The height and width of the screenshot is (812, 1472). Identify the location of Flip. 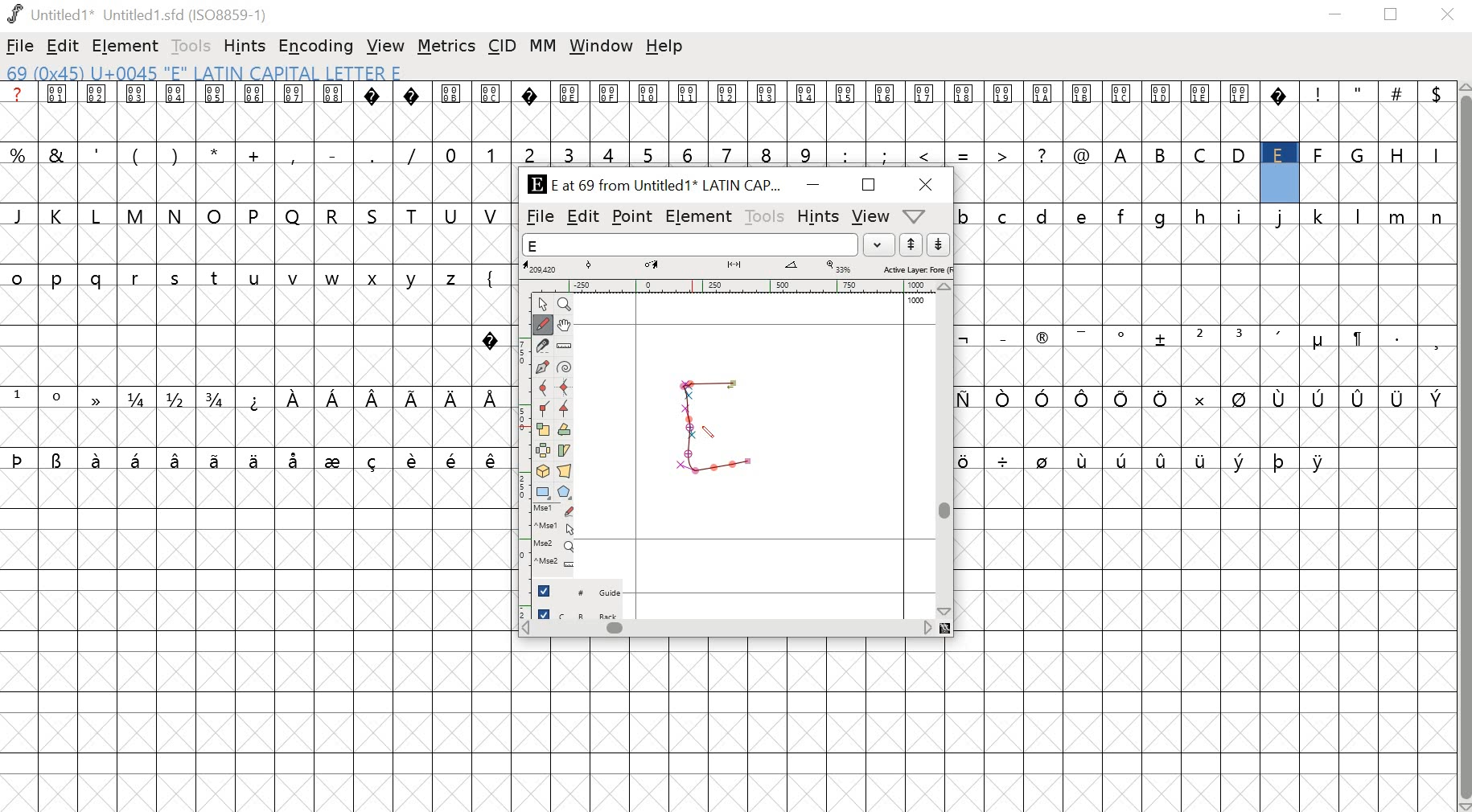
(543, 451).